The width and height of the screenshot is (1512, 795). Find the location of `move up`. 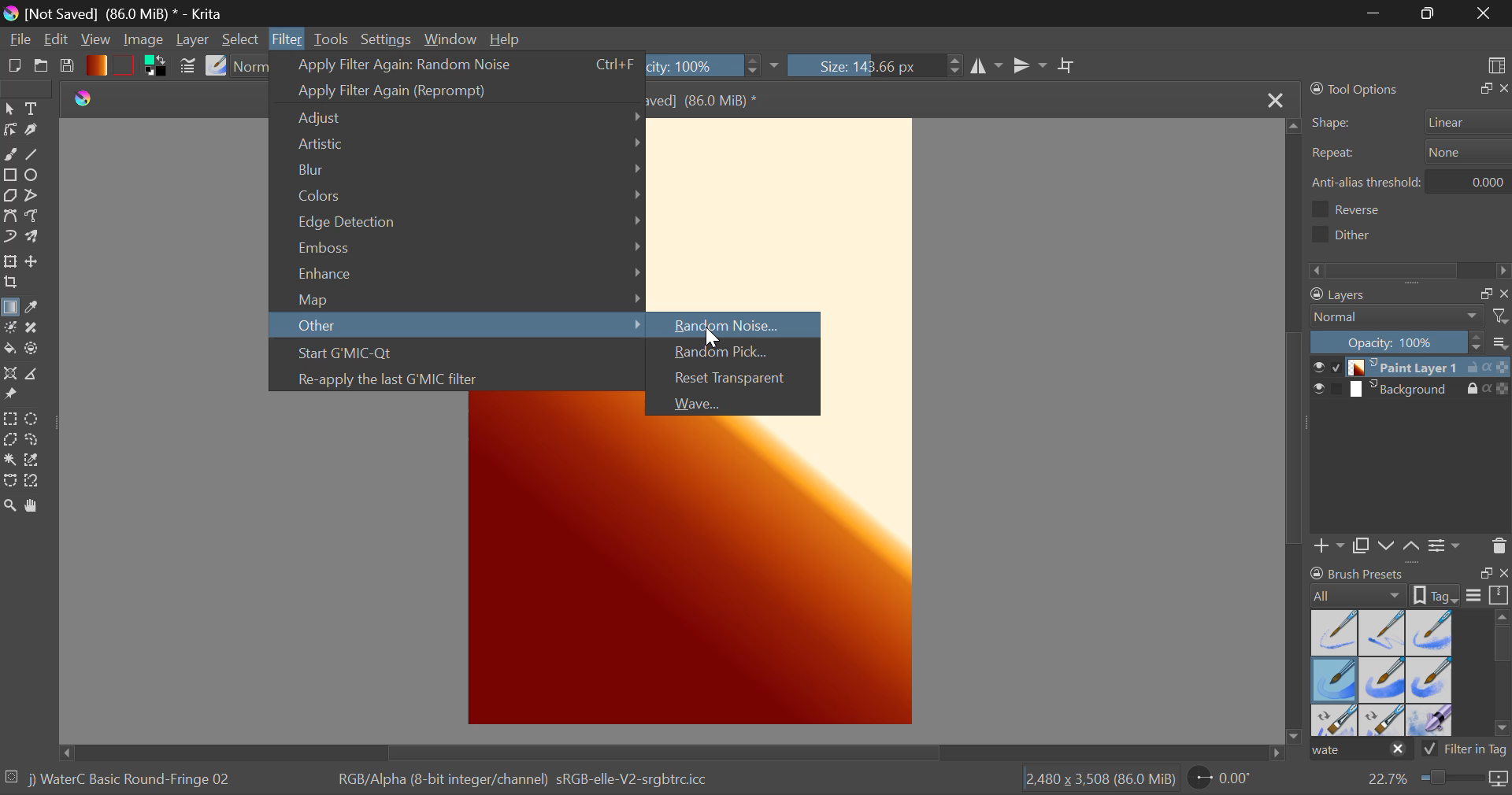

move up is located at coordinates (1412, 547).